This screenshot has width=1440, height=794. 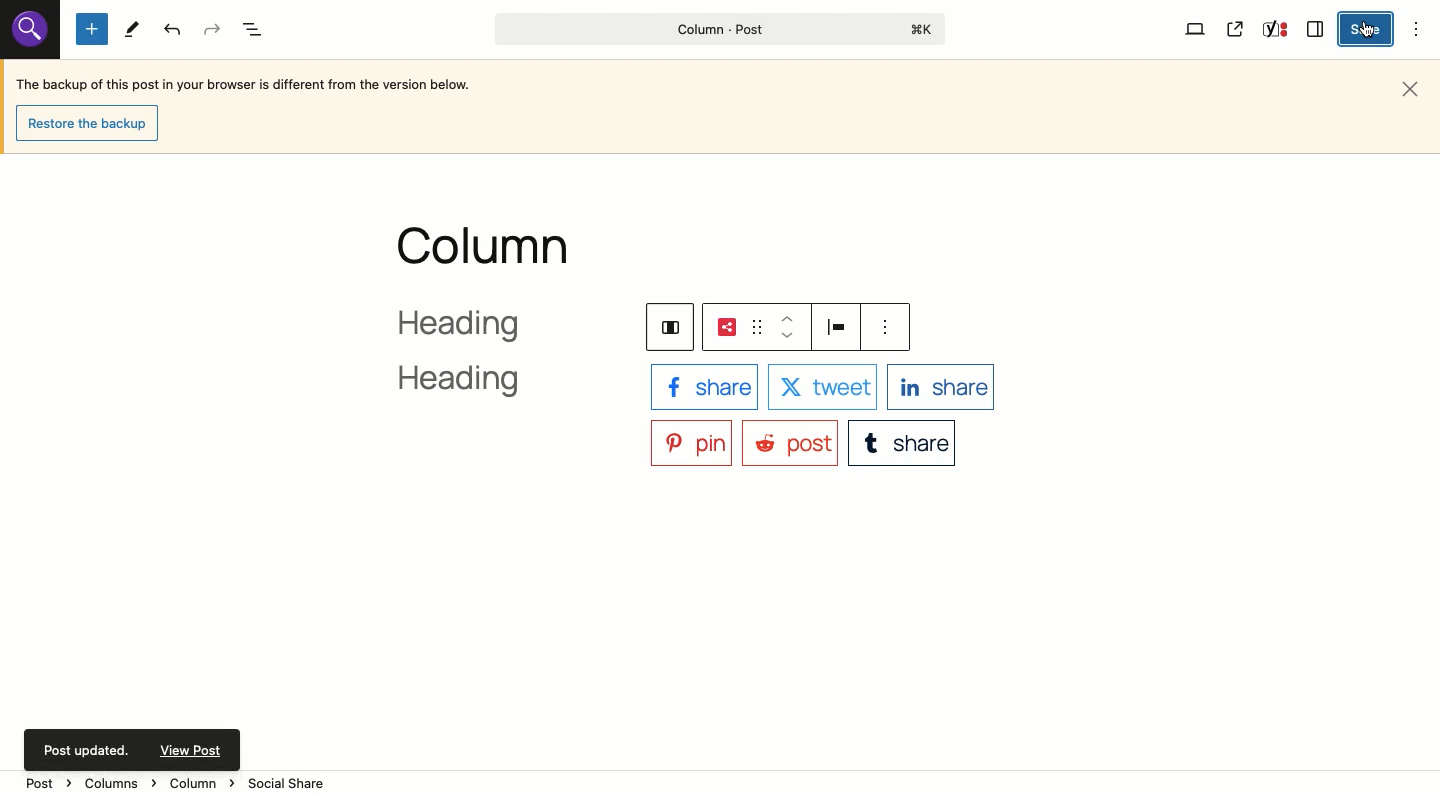 I want to click on column, so click(x=486, y=246).